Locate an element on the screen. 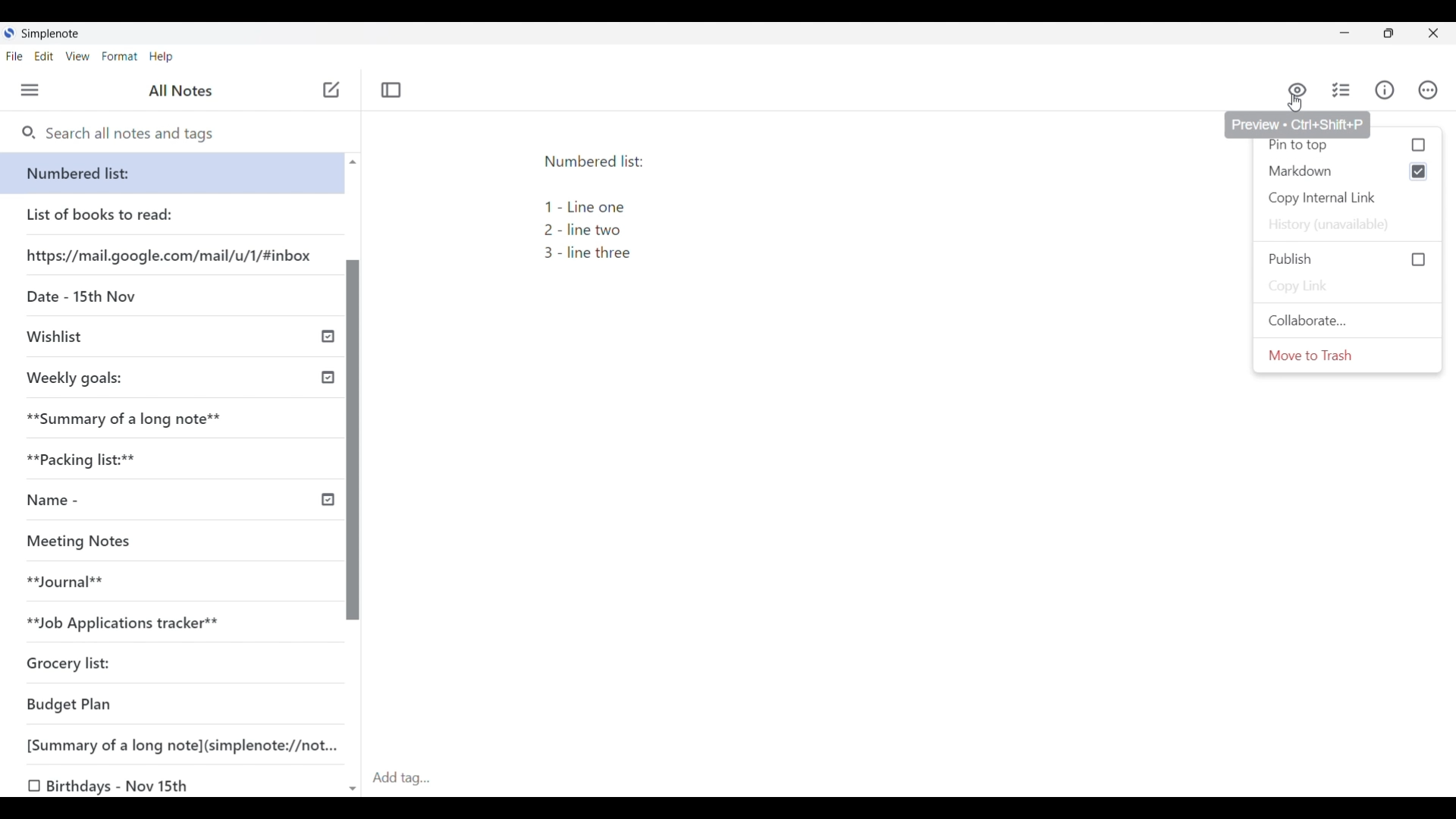 The width and height of the screenshot is (1456, 819). Packiacking list:** is located at coordinates (90, 463).